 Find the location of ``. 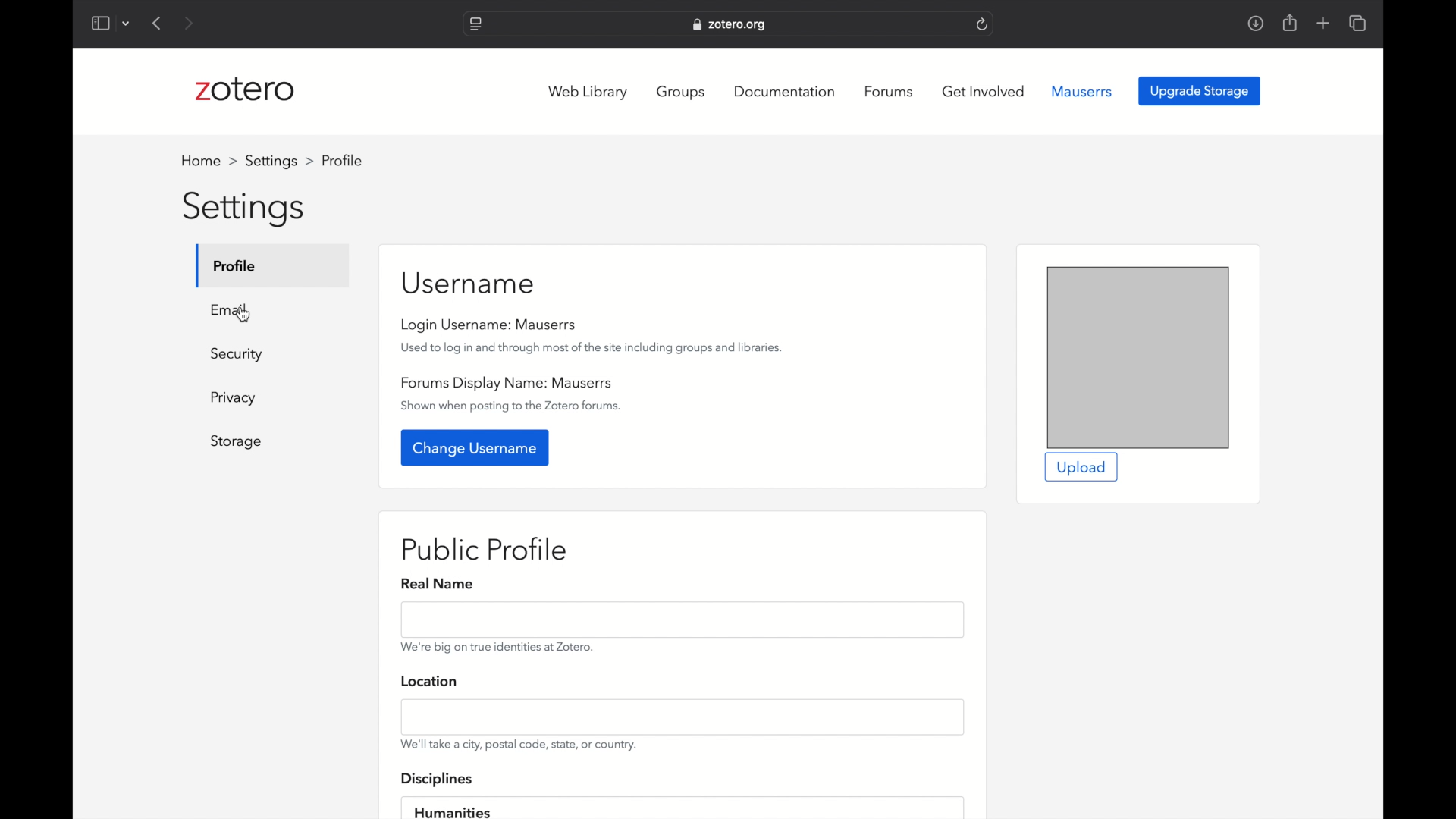

 is located at coordinates (234, 398).